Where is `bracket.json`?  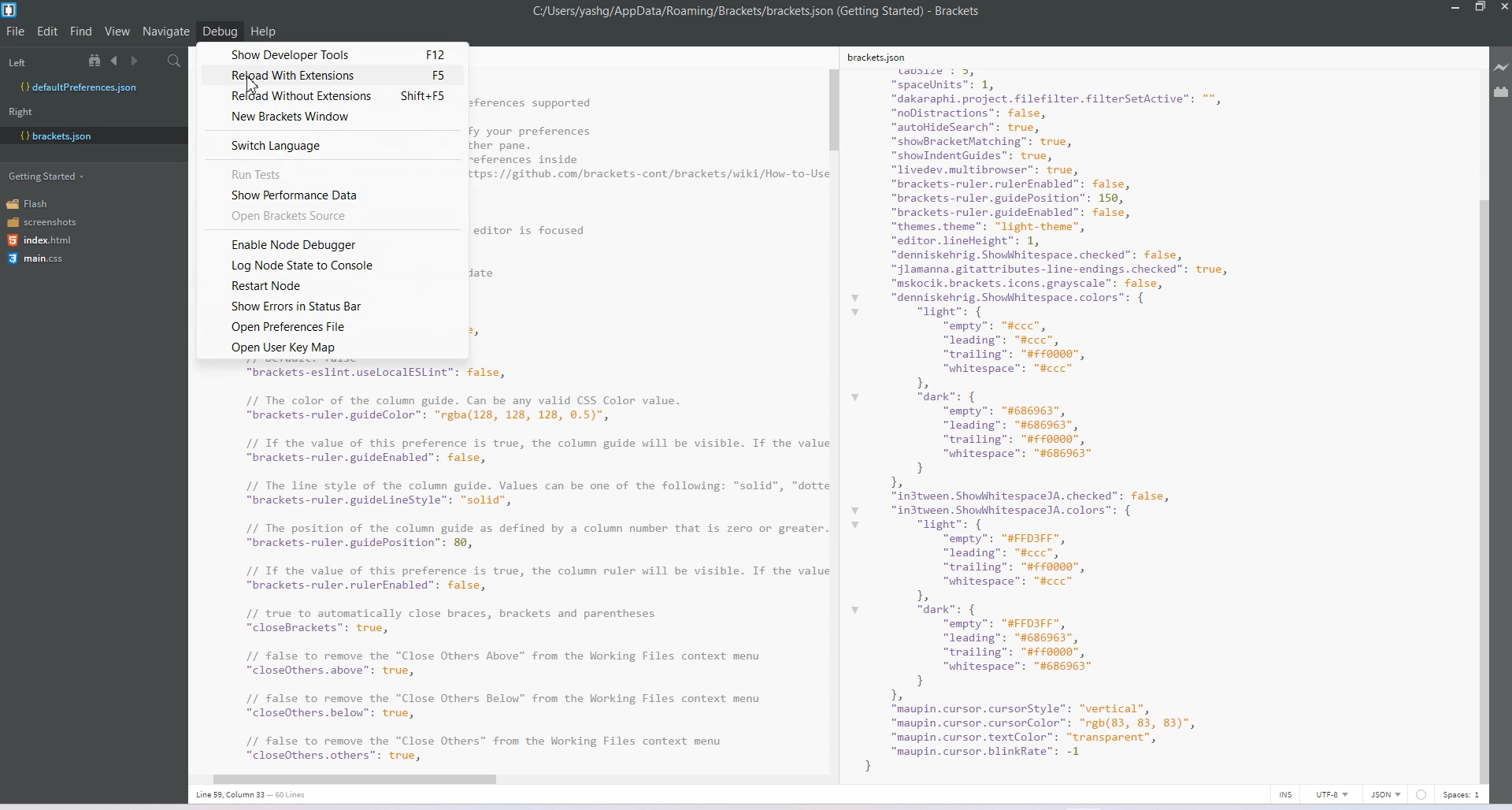
bracket.json is located at coordinates (90, 135).